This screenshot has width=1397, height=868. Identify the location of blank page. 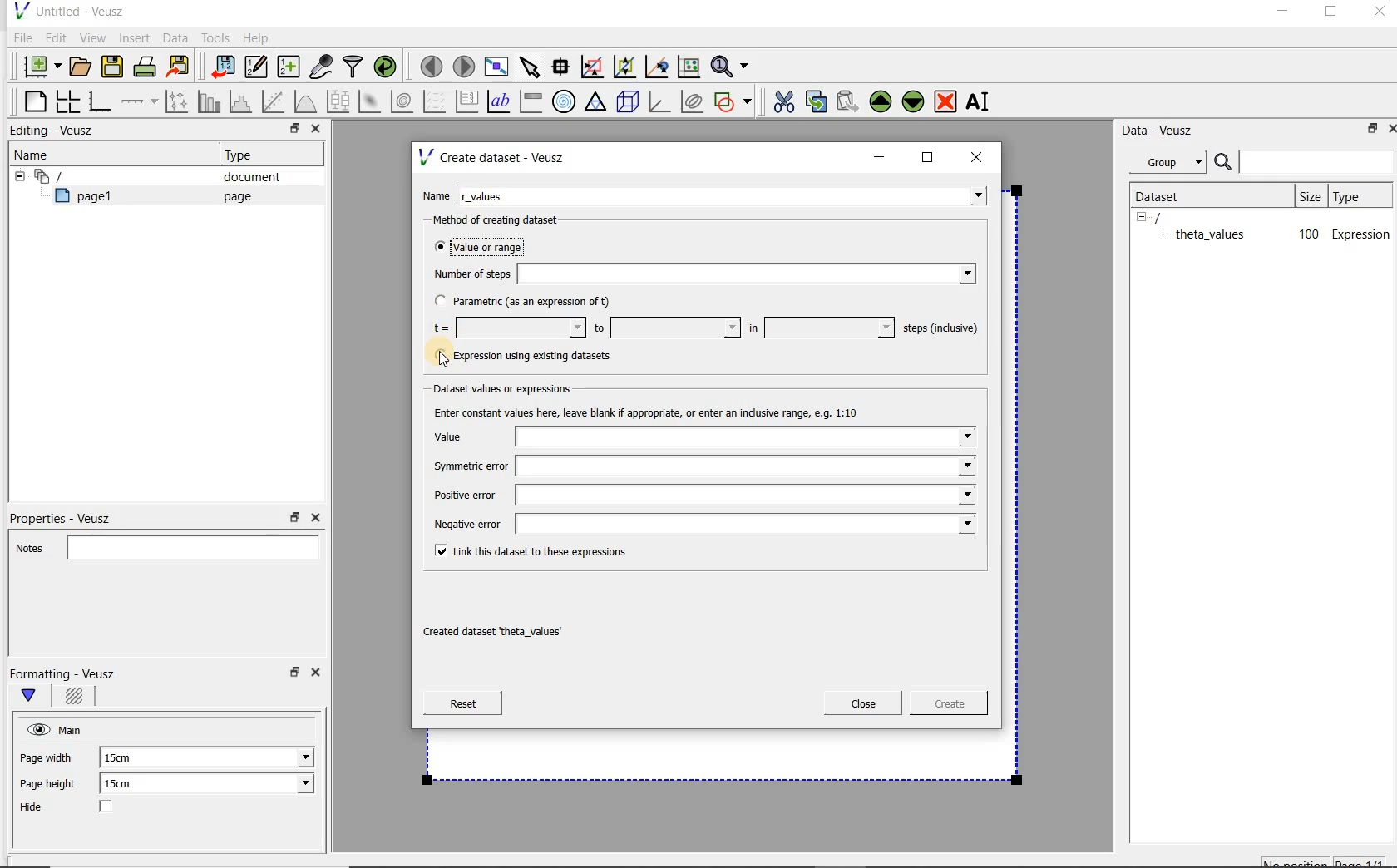
(32, 99).